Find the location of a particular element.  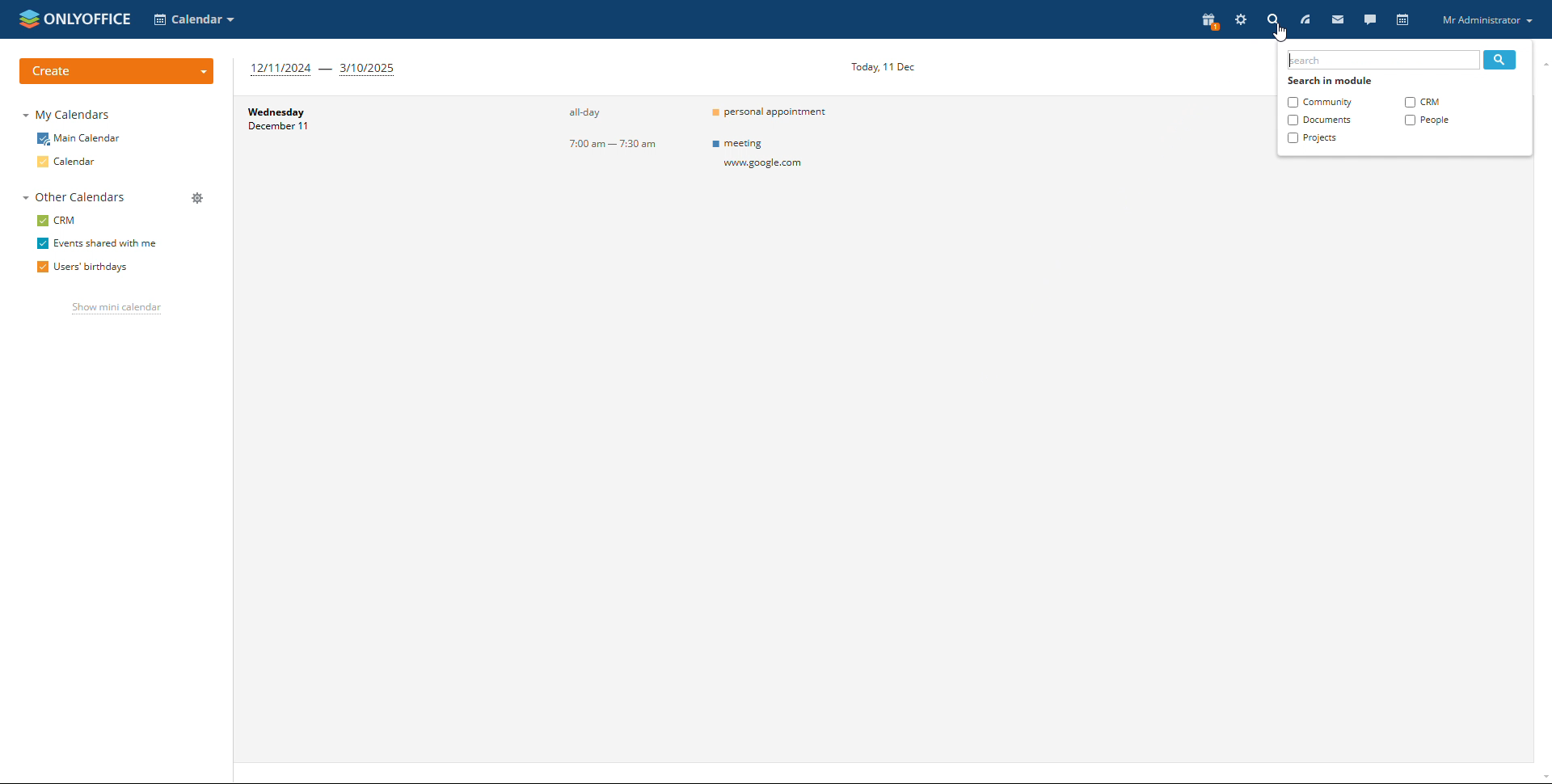

my calendars is located at coordinates (68, 115).